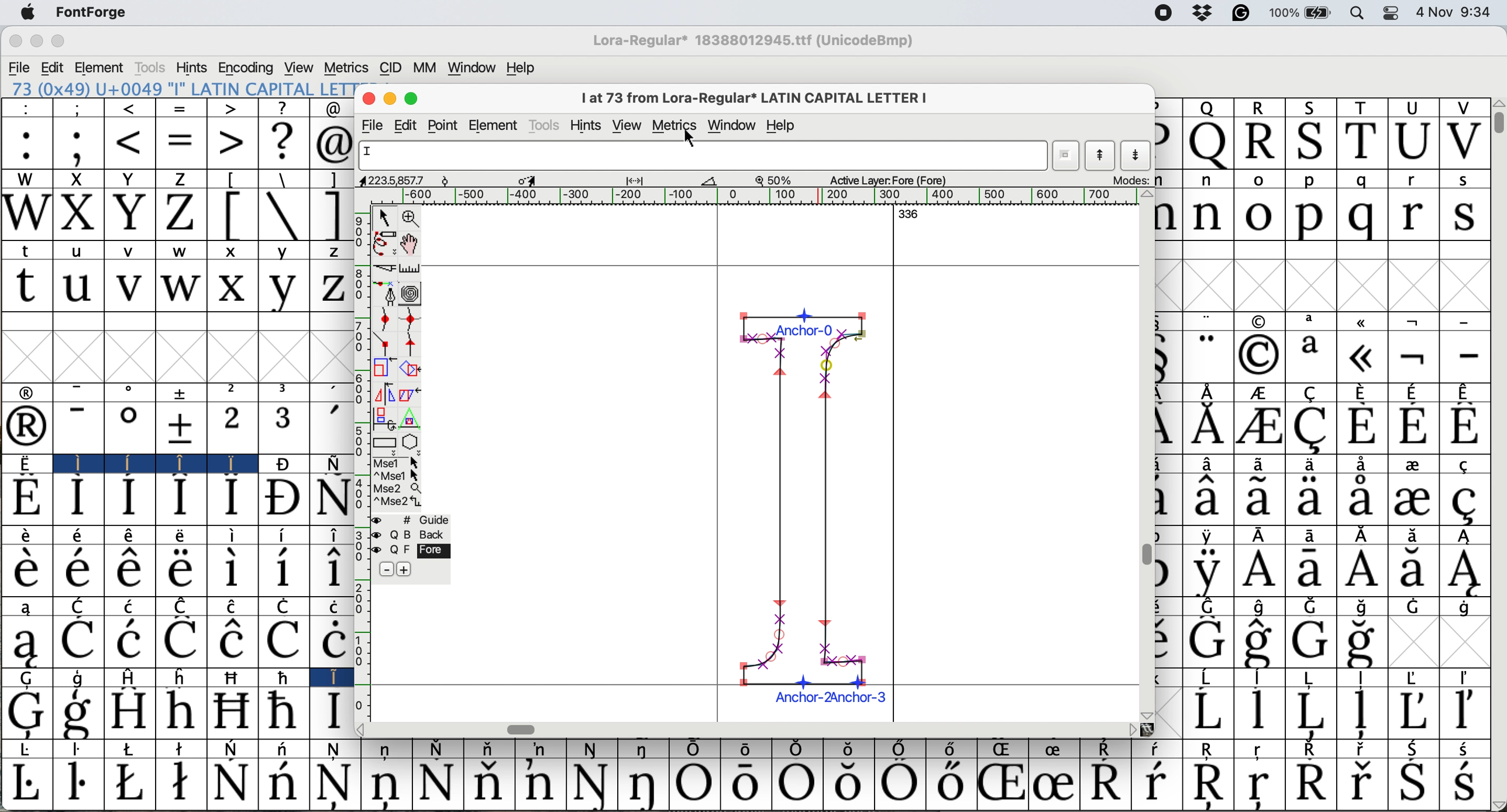 This screenshot has width=1507, height=812. Describe the element at coordinates (232, 286) in the screenshot. I see `x` at that location.